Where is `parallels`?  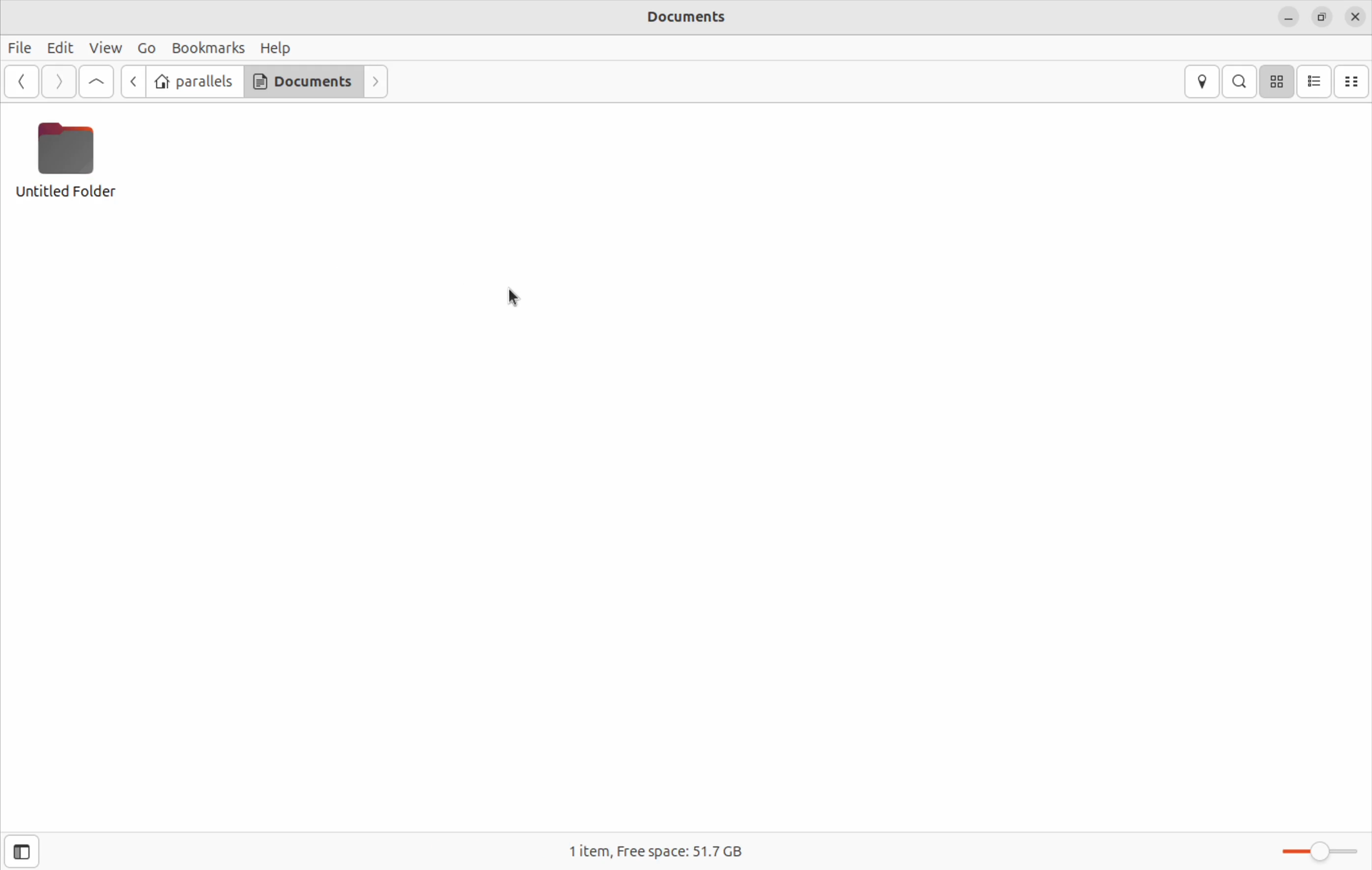
parallels is located at coordinates (193, 81).